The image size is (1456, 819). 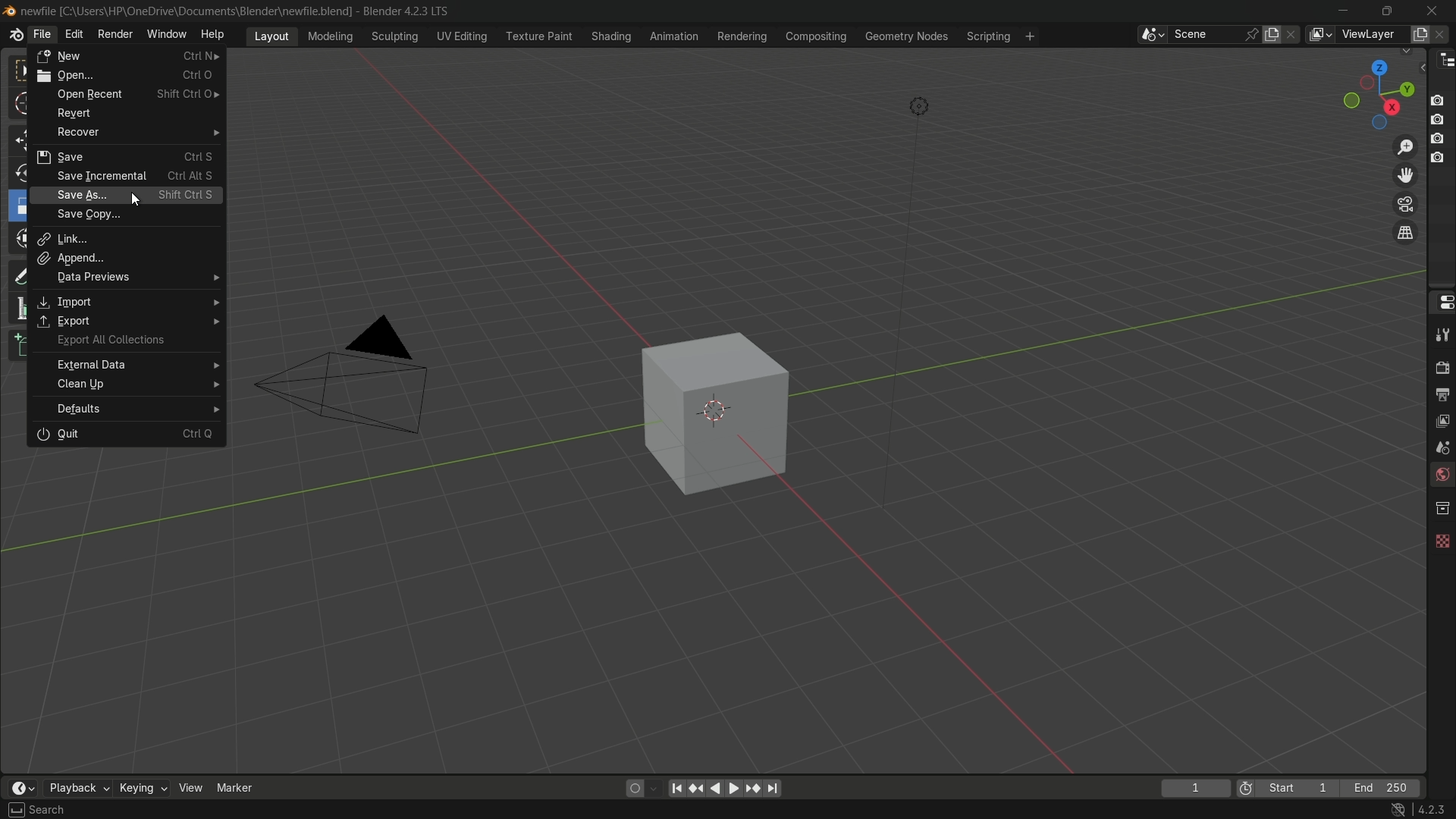 What do you see at coordinates (753, 787) in the screenshot?
I see `jump to keyframe` at bounding box center [753, 787].